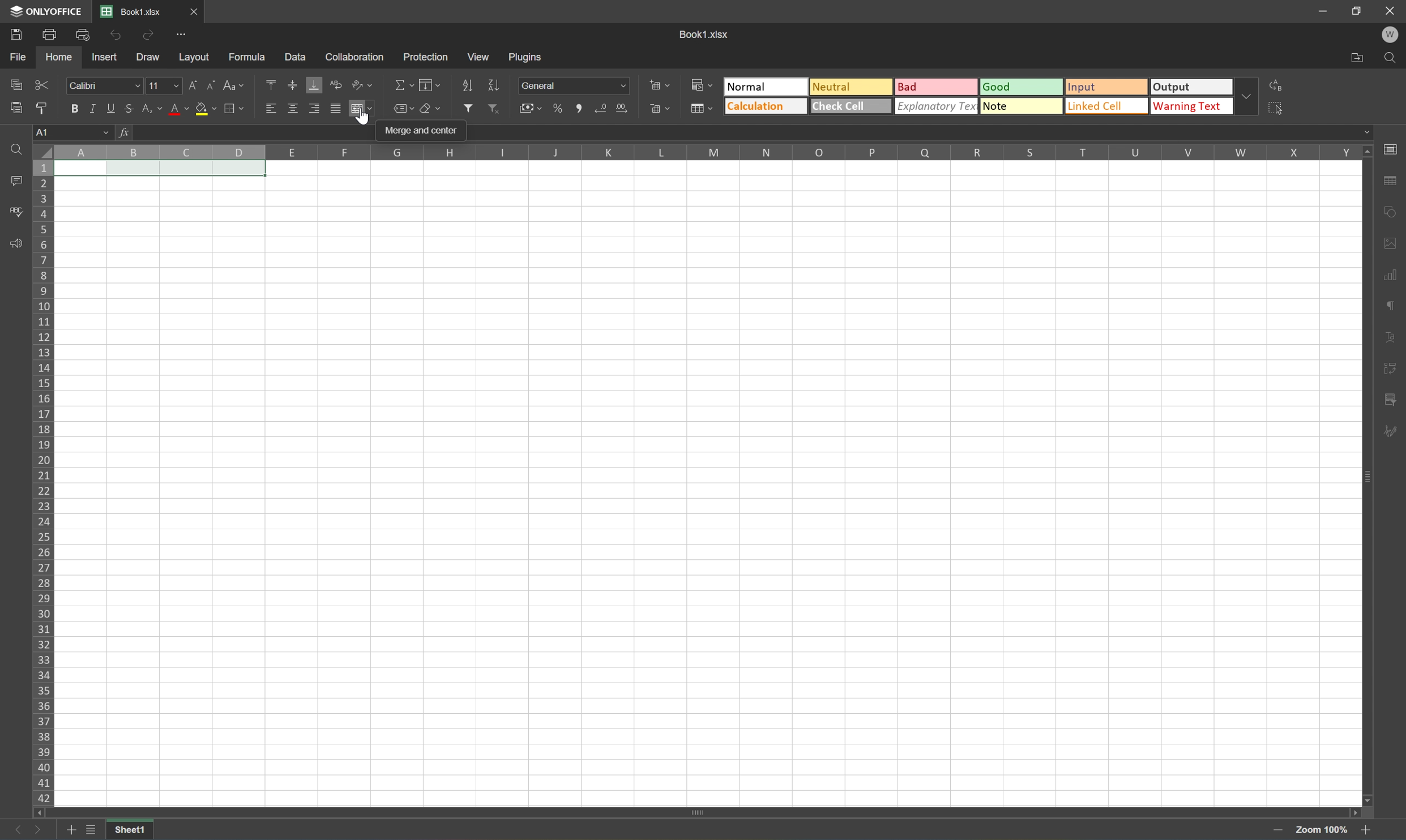 The image size is (1406, 840). Describe the element at coordinates (19, 58) in the screenshot. I see `File` at that location.